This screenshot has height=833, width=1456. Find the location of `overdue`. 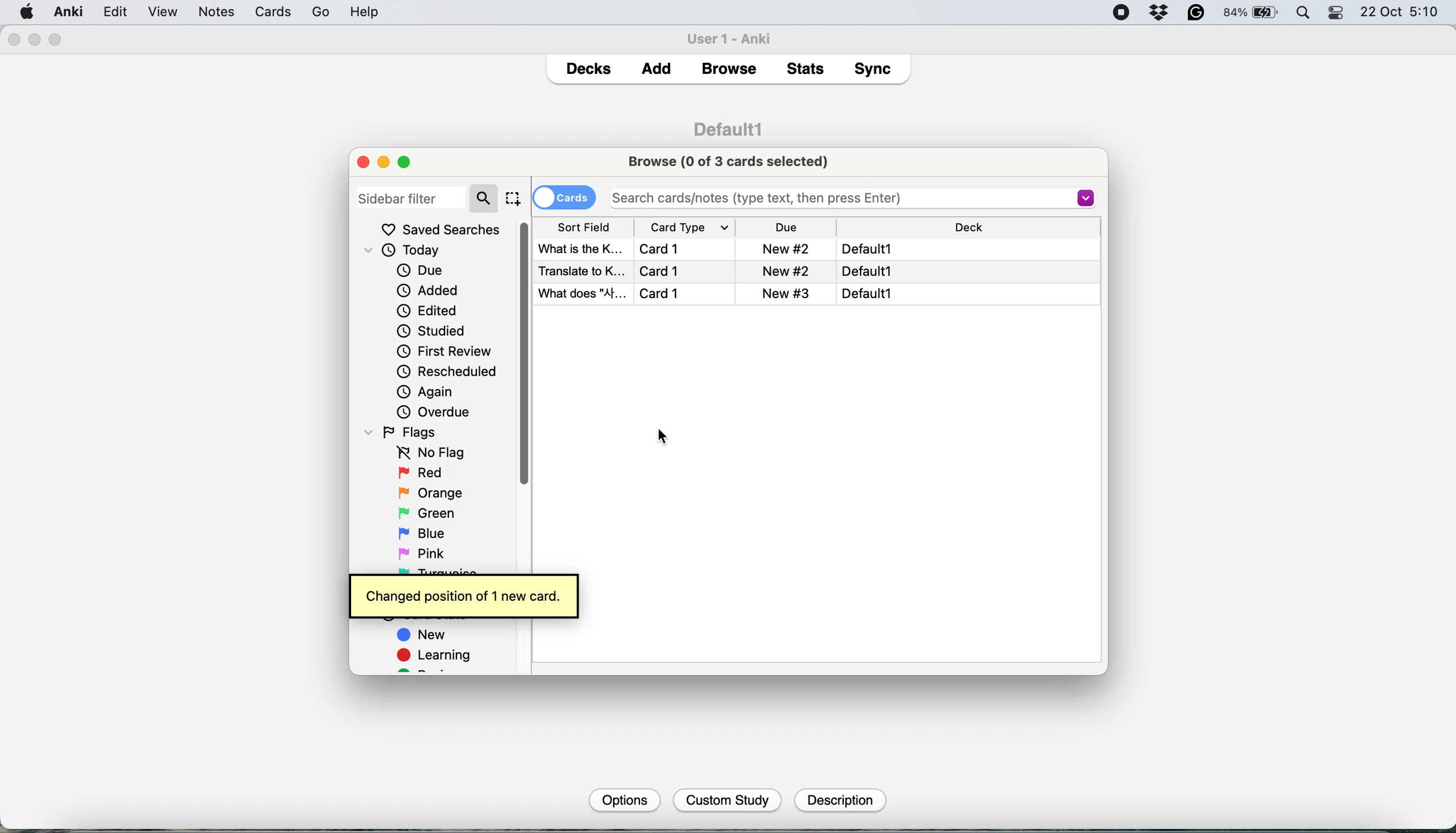

overdue is located at coordinates (432, 412).